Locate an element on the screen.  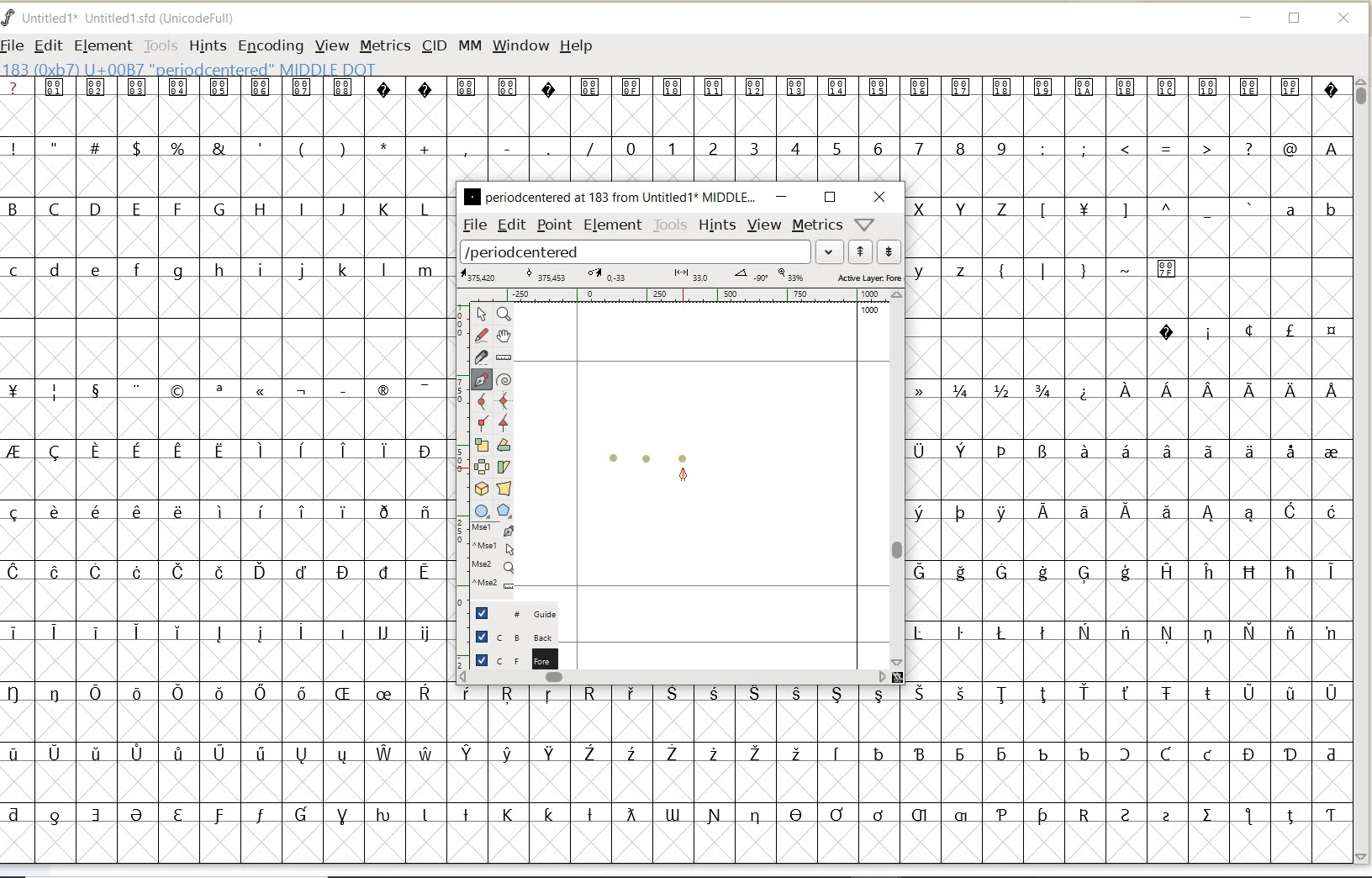
Add a corner point is located at coordinates (481, 422).